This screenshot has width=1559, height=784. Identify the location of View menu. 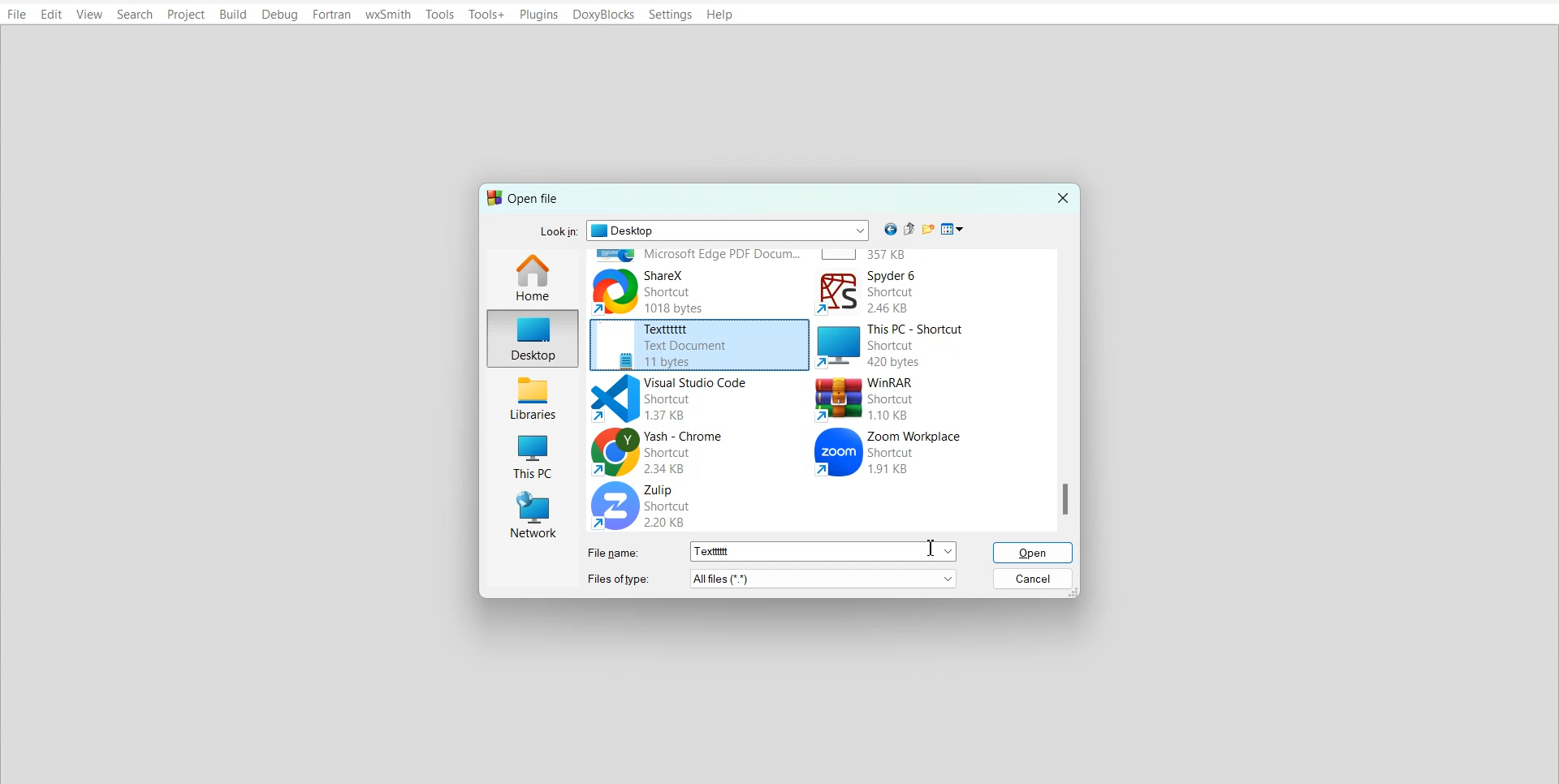
(952, 230).